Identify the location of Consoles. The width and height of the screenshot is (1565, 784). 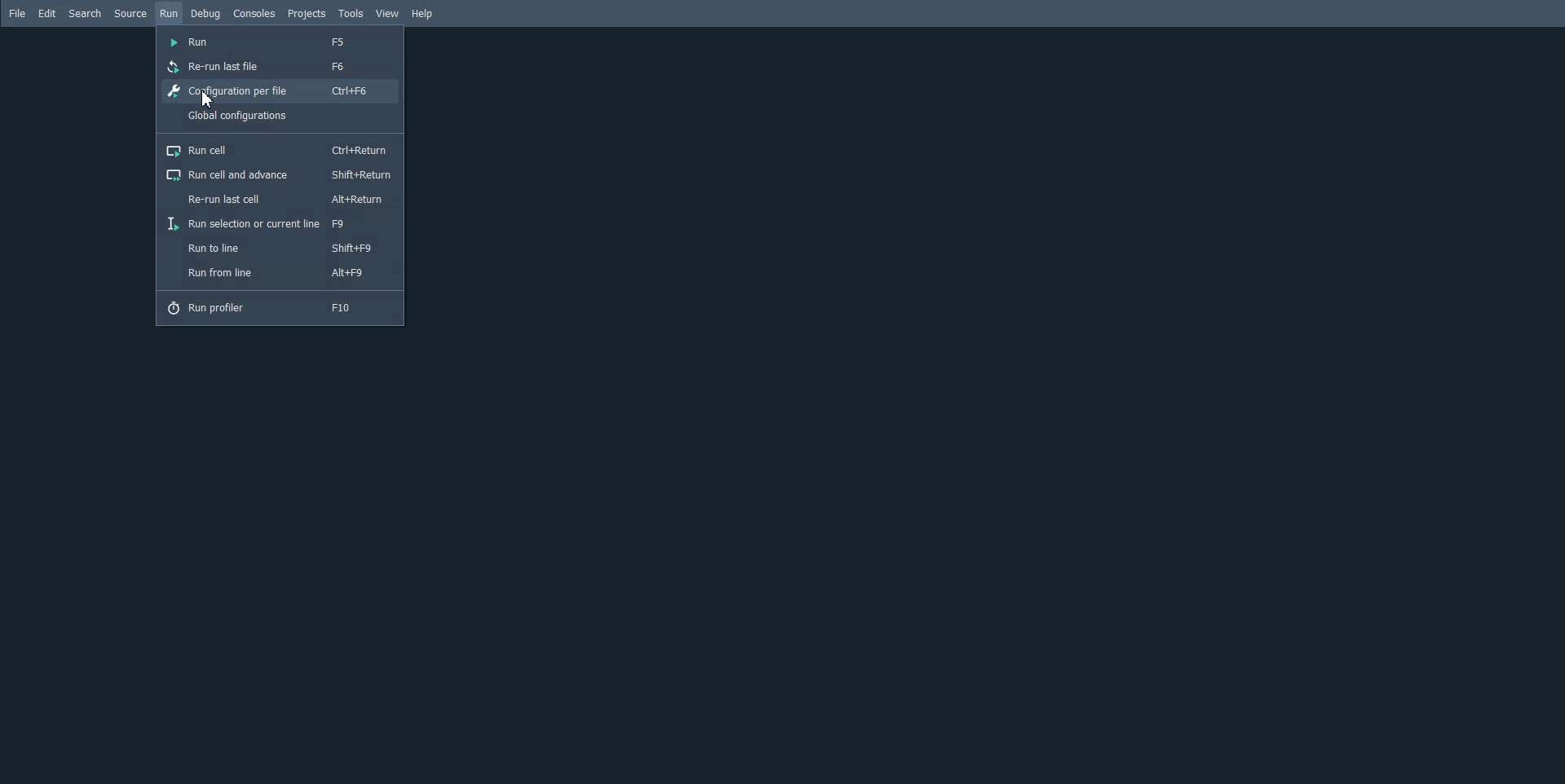
(254, 13).